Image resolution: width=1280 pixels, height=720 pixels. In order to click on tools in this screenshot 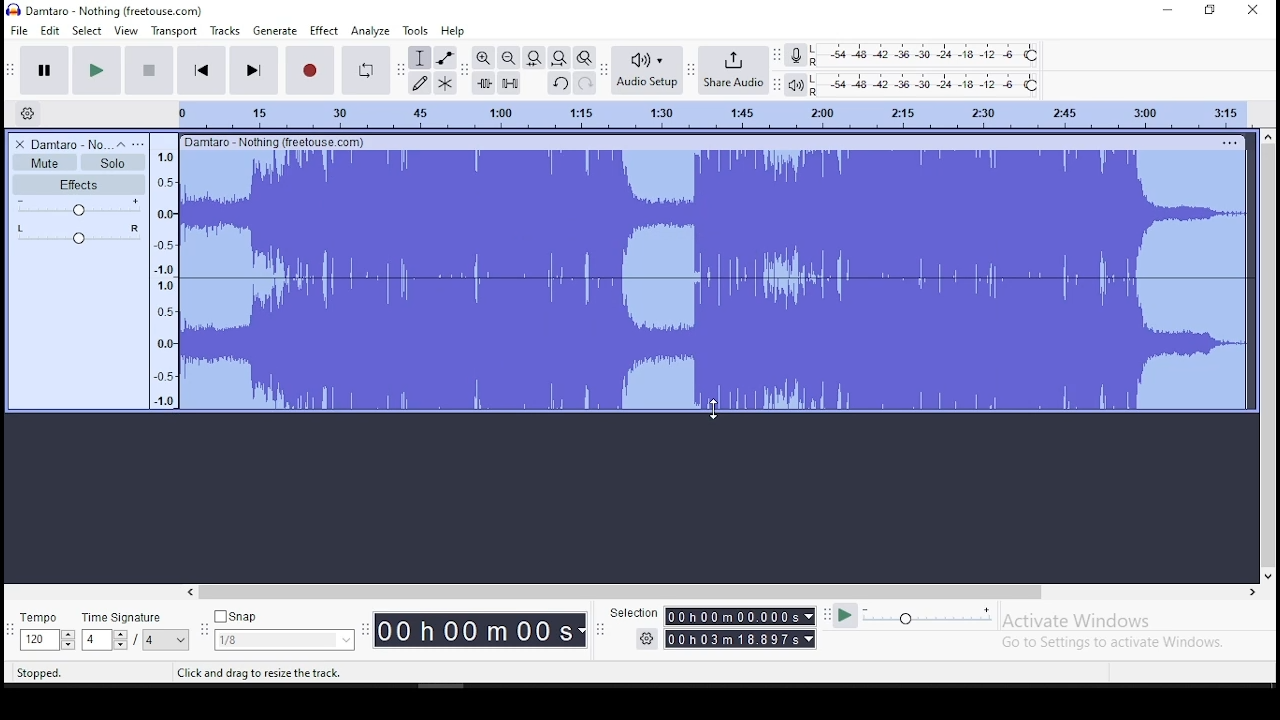, I will do `click(417, 31)`.